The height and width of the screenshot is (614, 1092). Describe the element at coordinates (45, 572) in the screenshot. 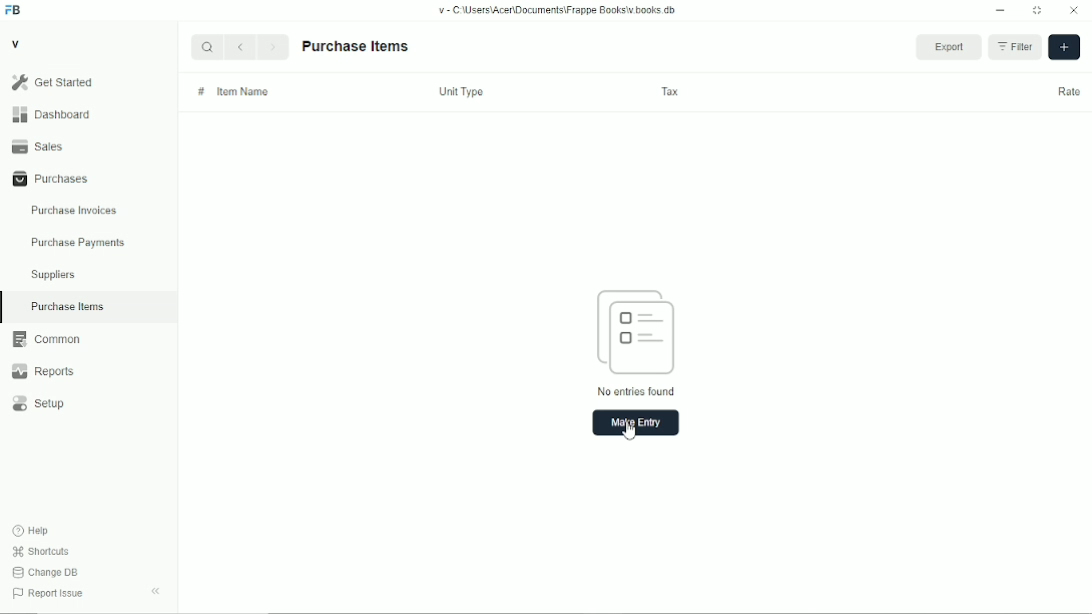

I see `change DB` at that location.